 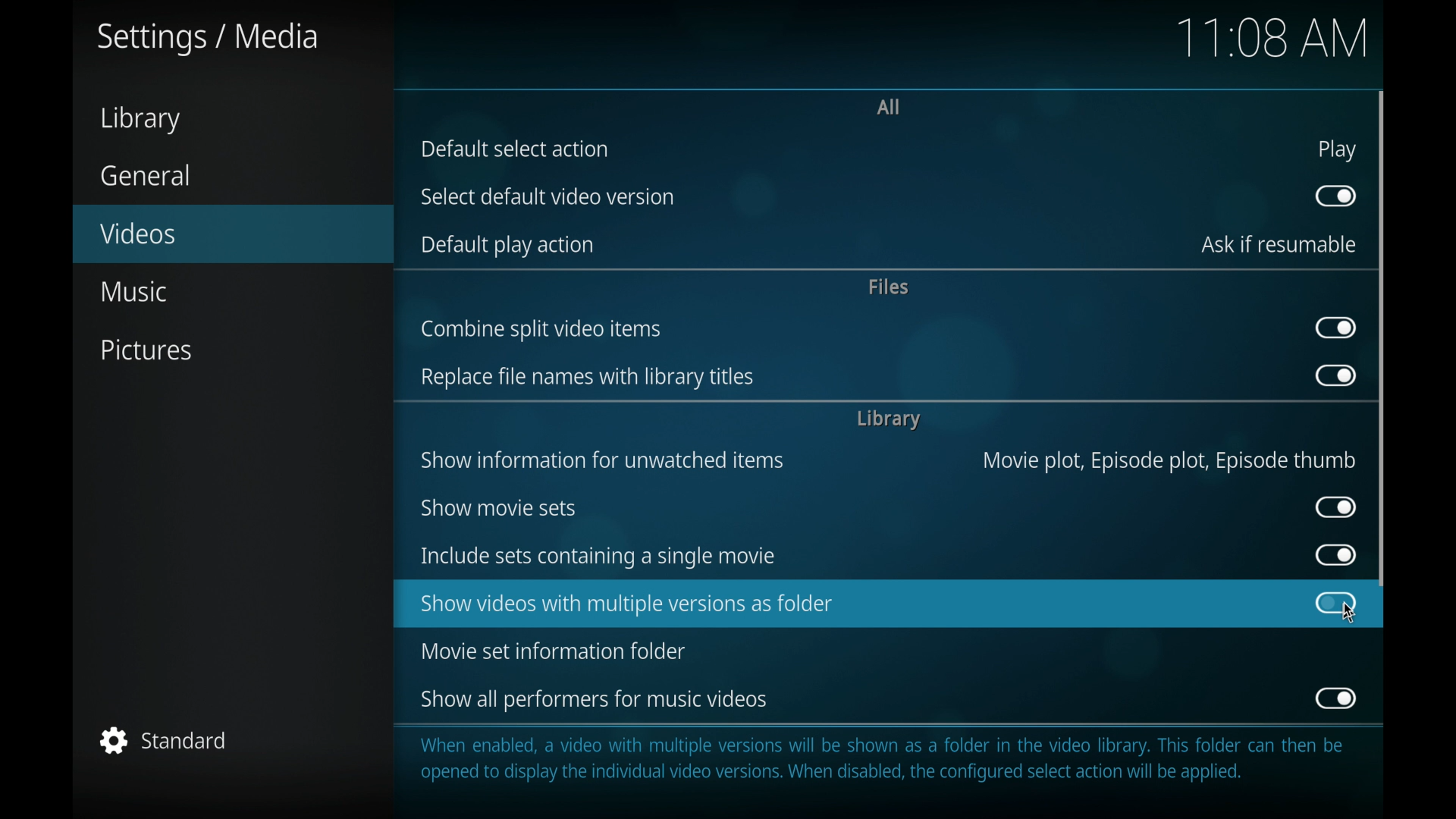 What do you see at coordinates (140, 120) in the screenshot?
I see `library` at bounding box center [140, 120].